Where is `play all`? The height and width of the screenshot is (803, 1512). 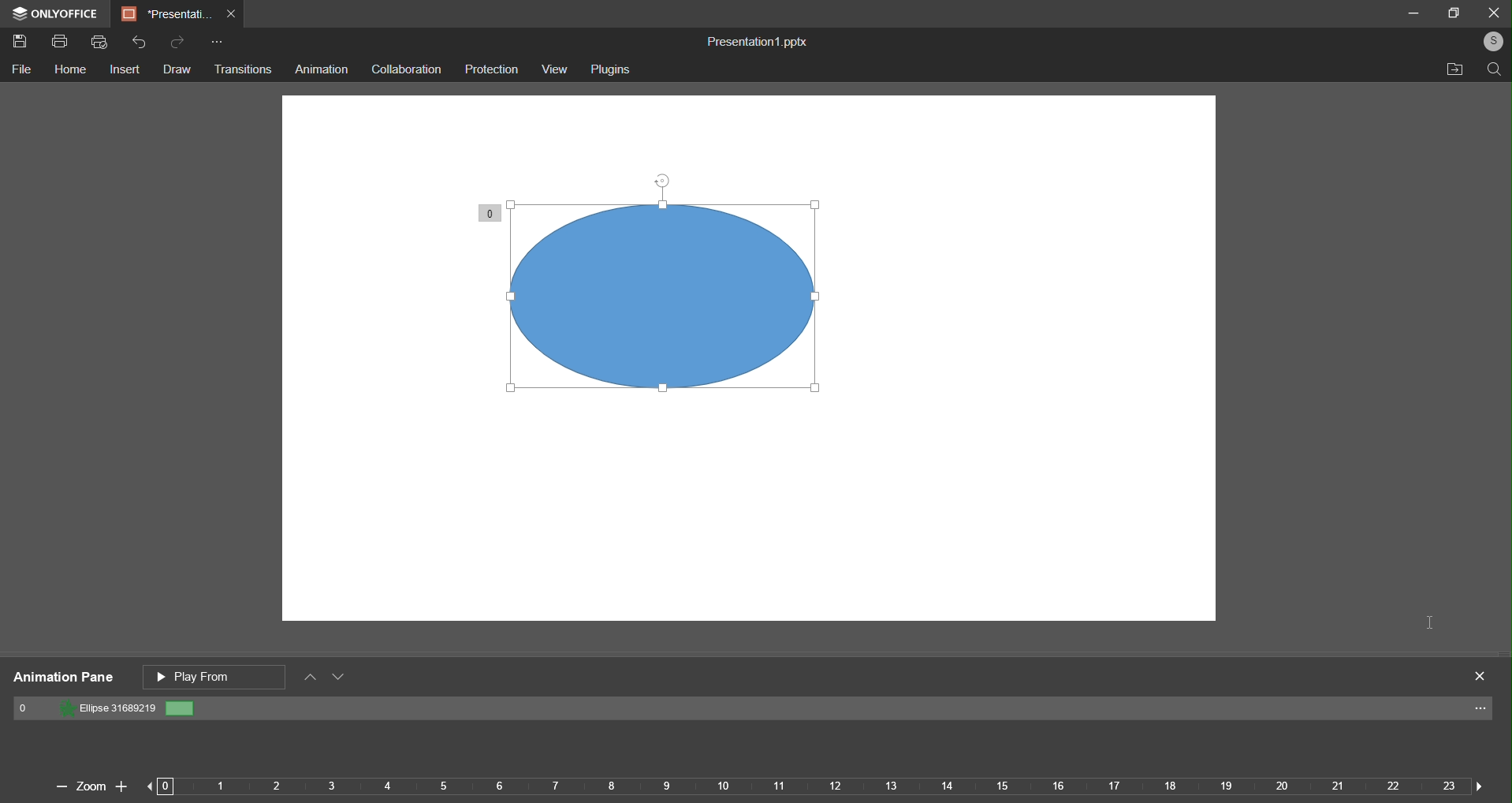
play all is located at coordinates (216, 675).